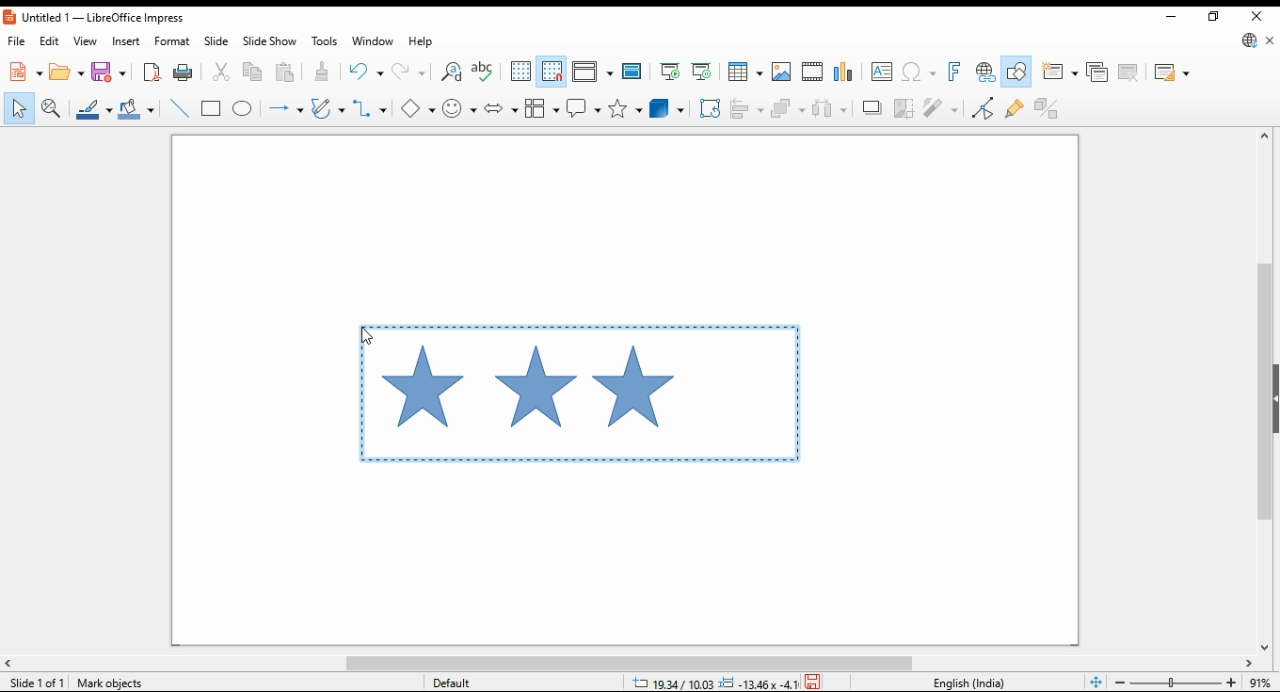  I want to click on insert image, so click(781, 70).